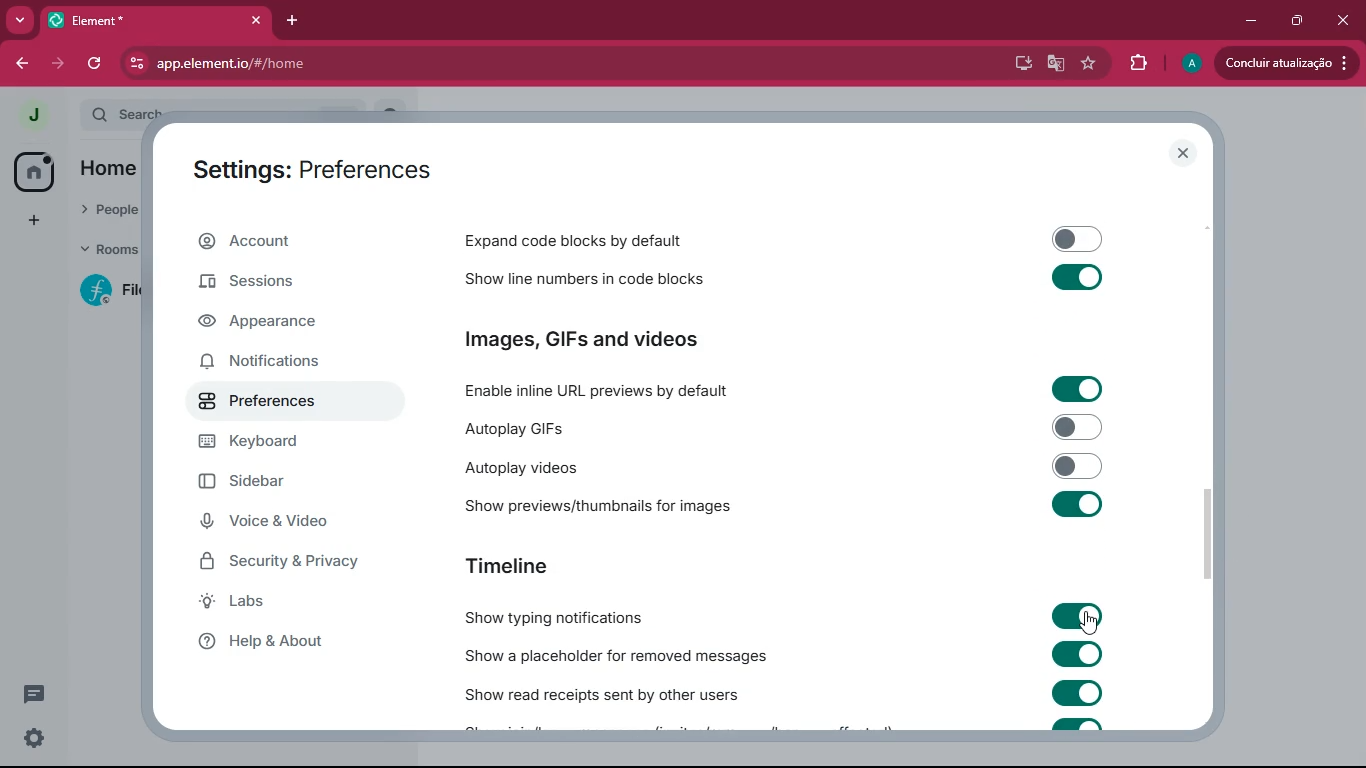 The width and height of the screenshot is (1366, 768). I want to click on toggle on/off, so click(1079, 277).